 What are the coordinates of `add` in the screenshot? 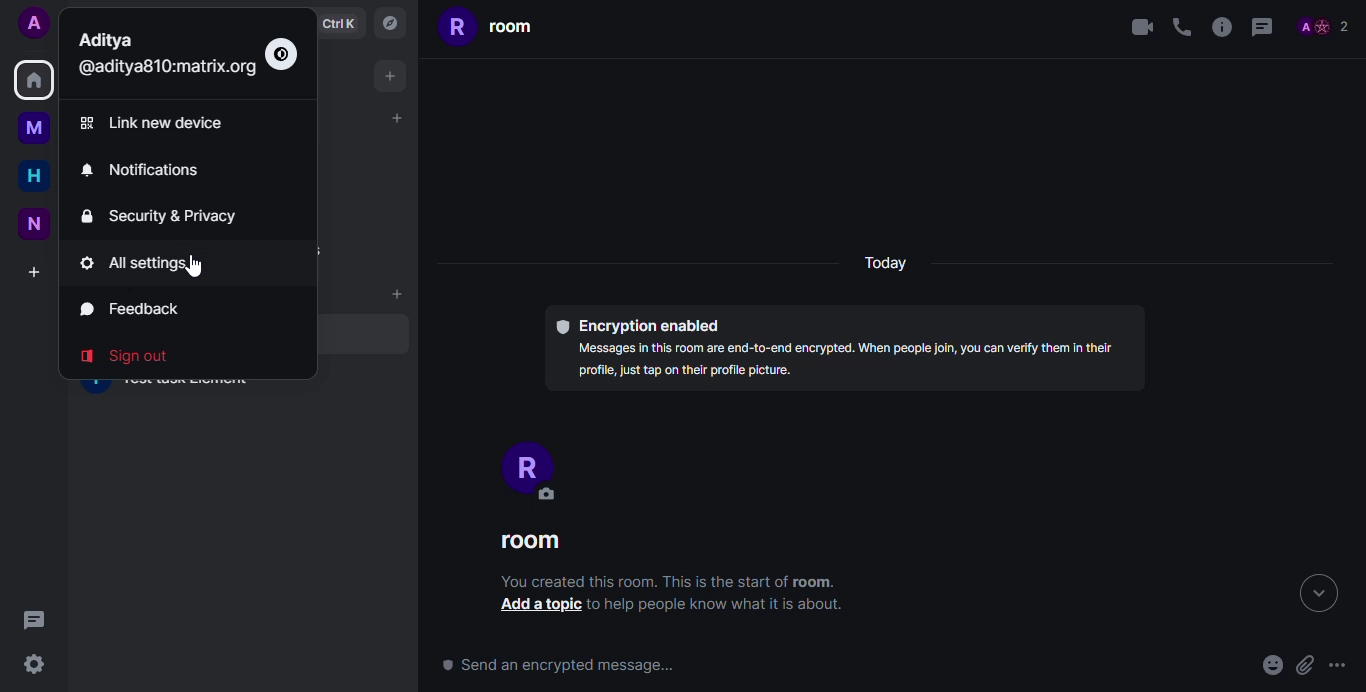 It's located at (391, 76).